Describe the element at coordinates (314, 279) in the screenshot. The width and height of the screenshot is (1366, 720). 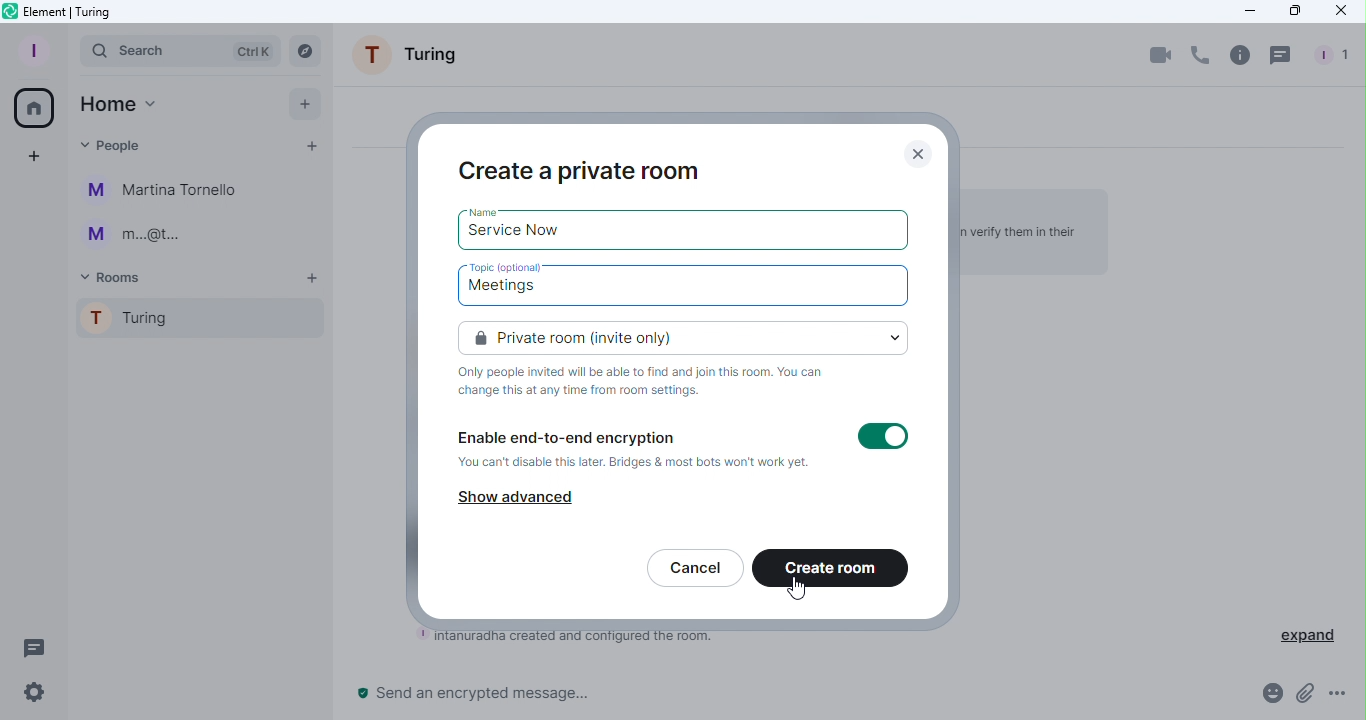
I see `Add room` at that location.